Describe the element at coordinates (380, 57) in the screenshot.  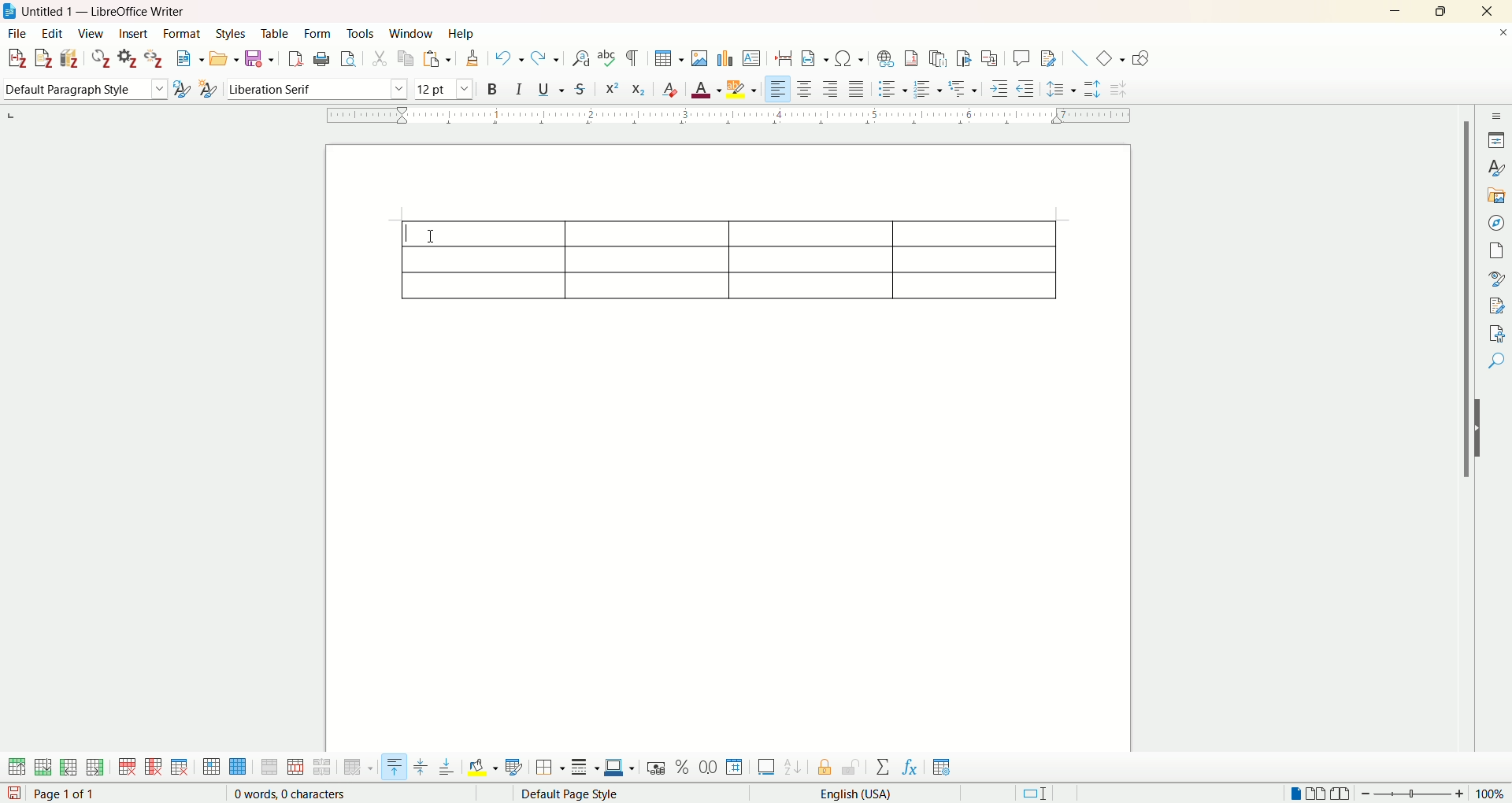
I see `cut` at that location.